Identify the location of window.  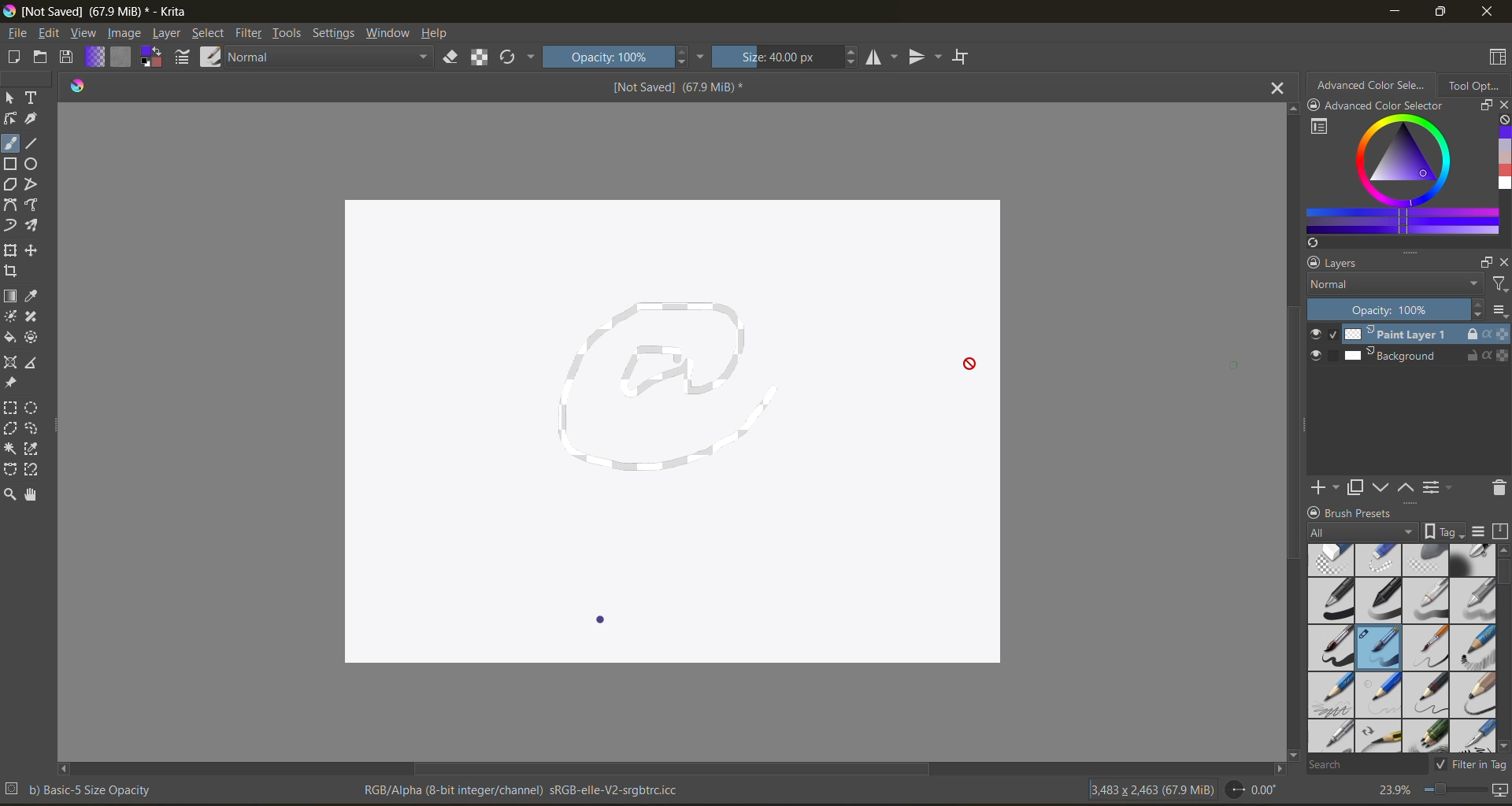
(388, 33).